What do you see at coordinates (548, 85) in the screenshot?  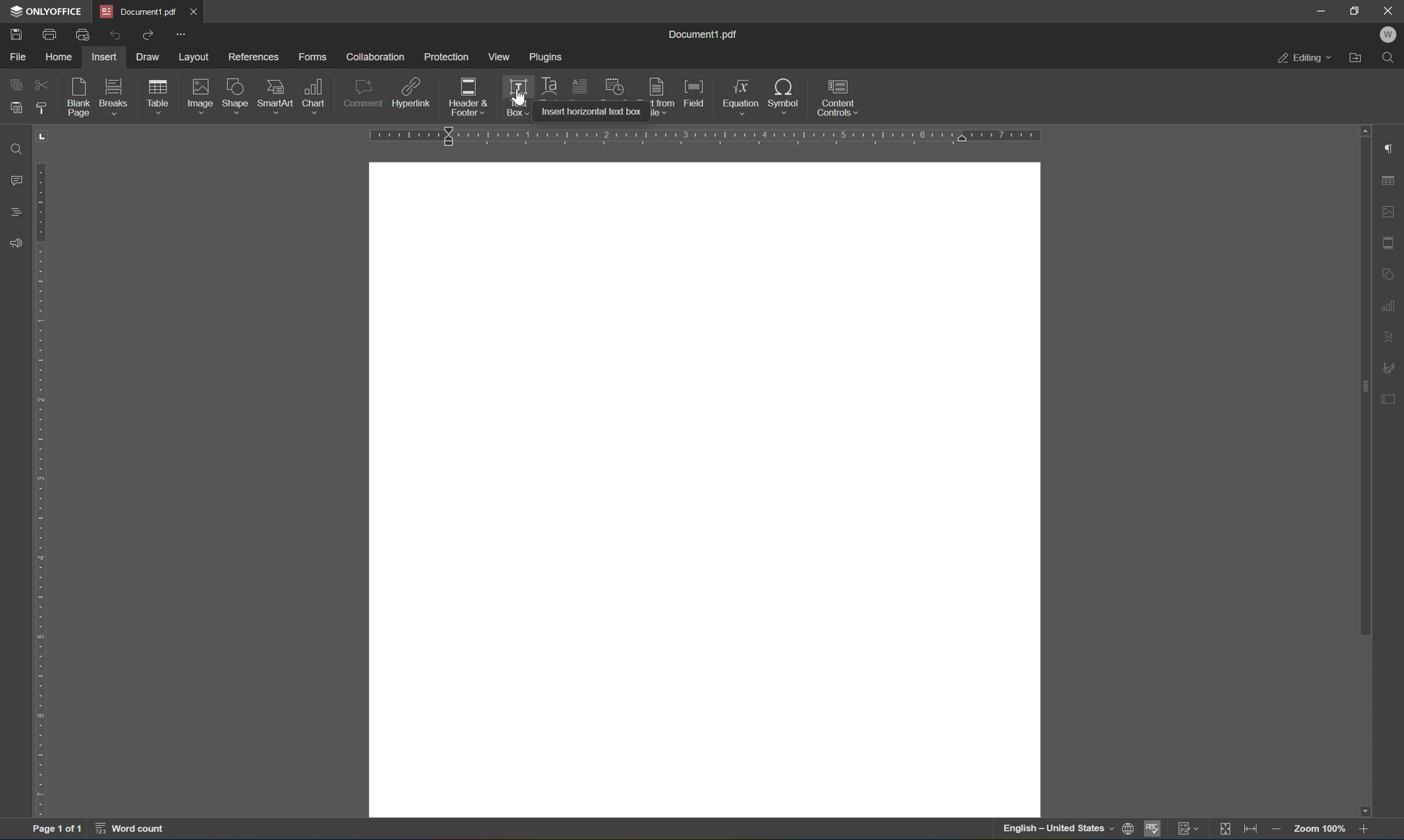 I see `text art` at bounding box center [548, 85].